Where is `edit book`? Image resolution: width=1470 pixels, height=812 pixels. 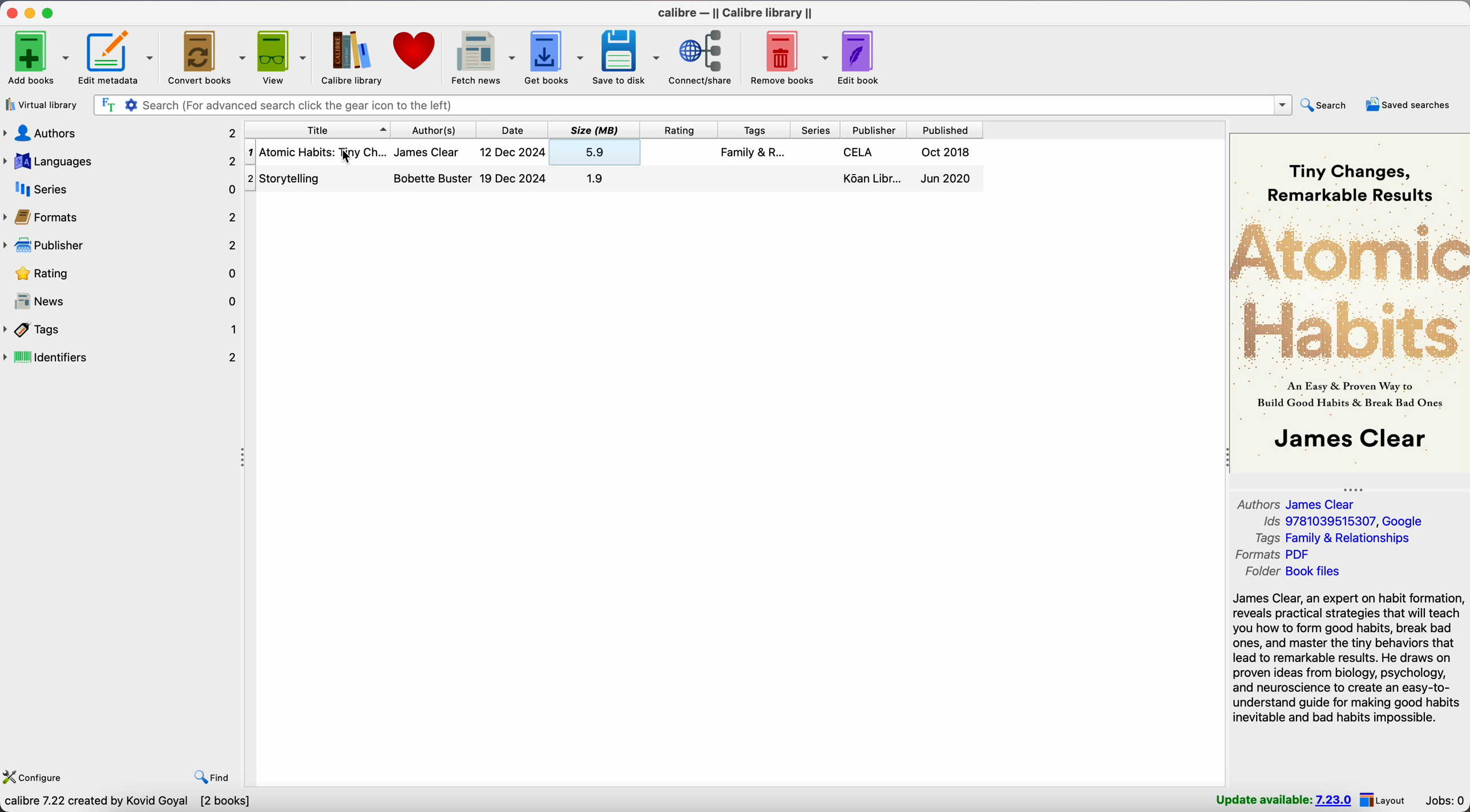 edit book is located at coordinates (862, 59).